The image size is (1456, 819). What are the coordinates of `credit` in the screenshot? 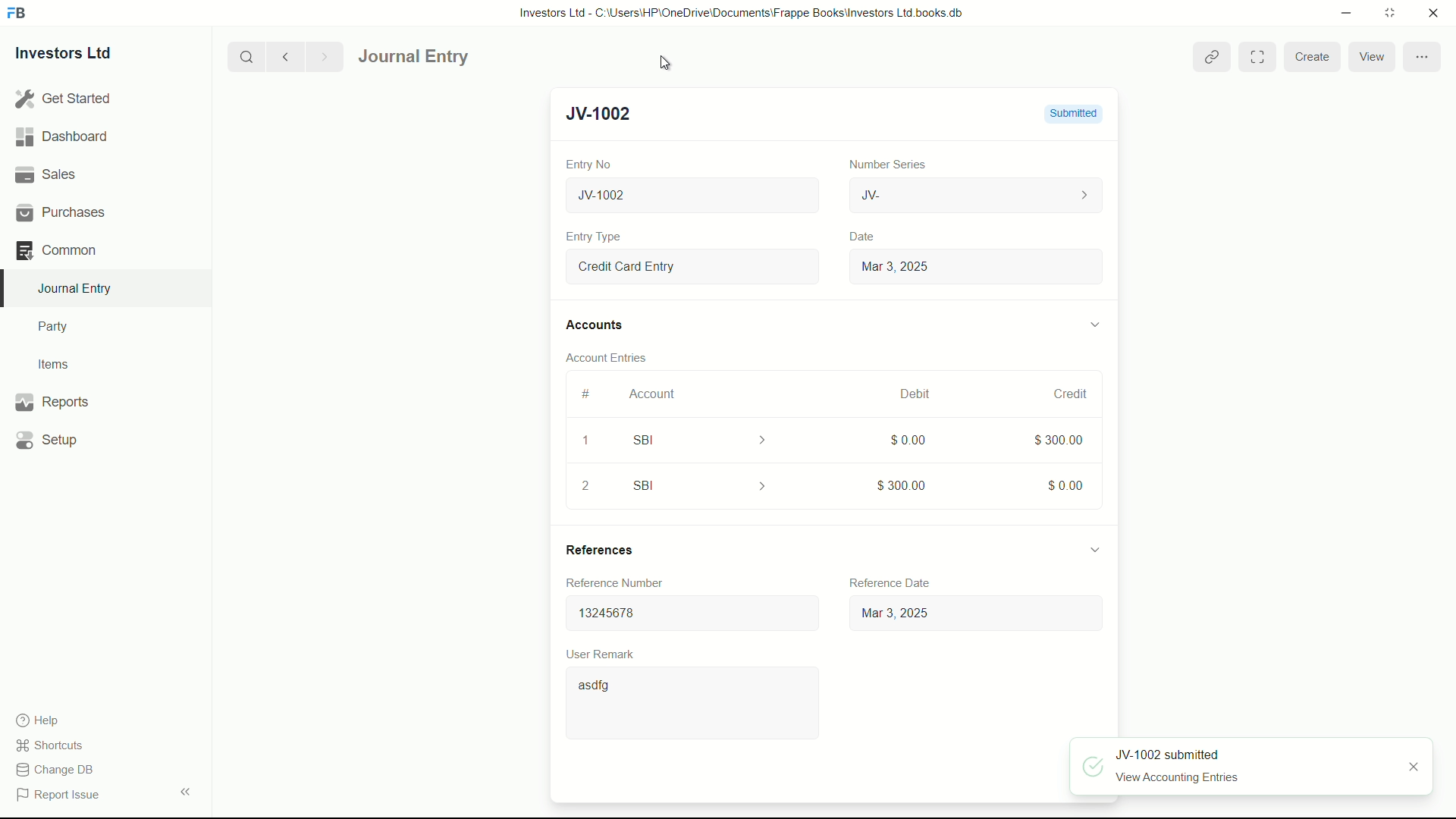 It's located at (1072, 394).